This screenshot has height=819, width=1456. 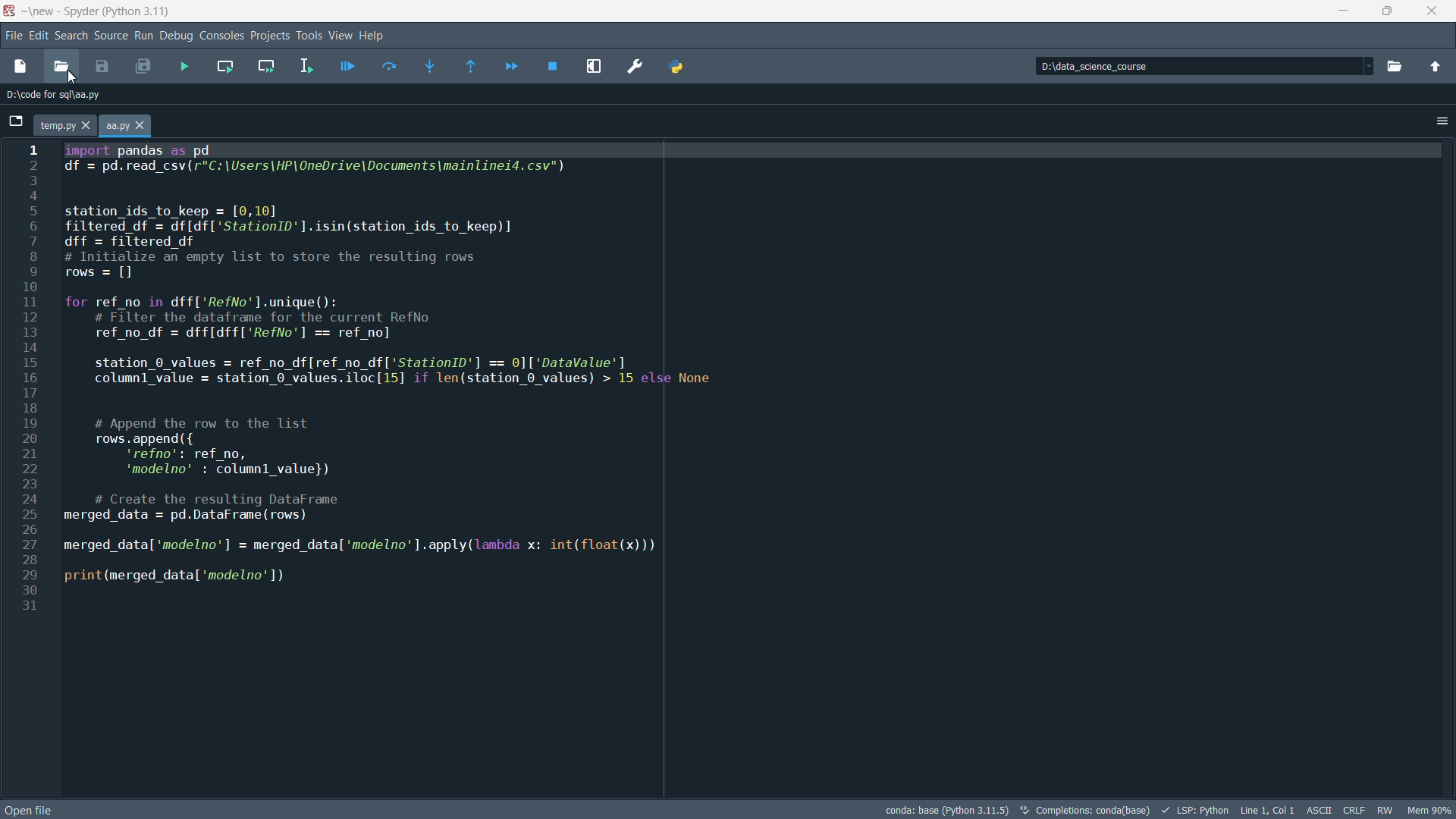 What do you see at coordinates (425, 64) in the screenshot?
I see `step into funtion or method` at bounding box center [425, 64].